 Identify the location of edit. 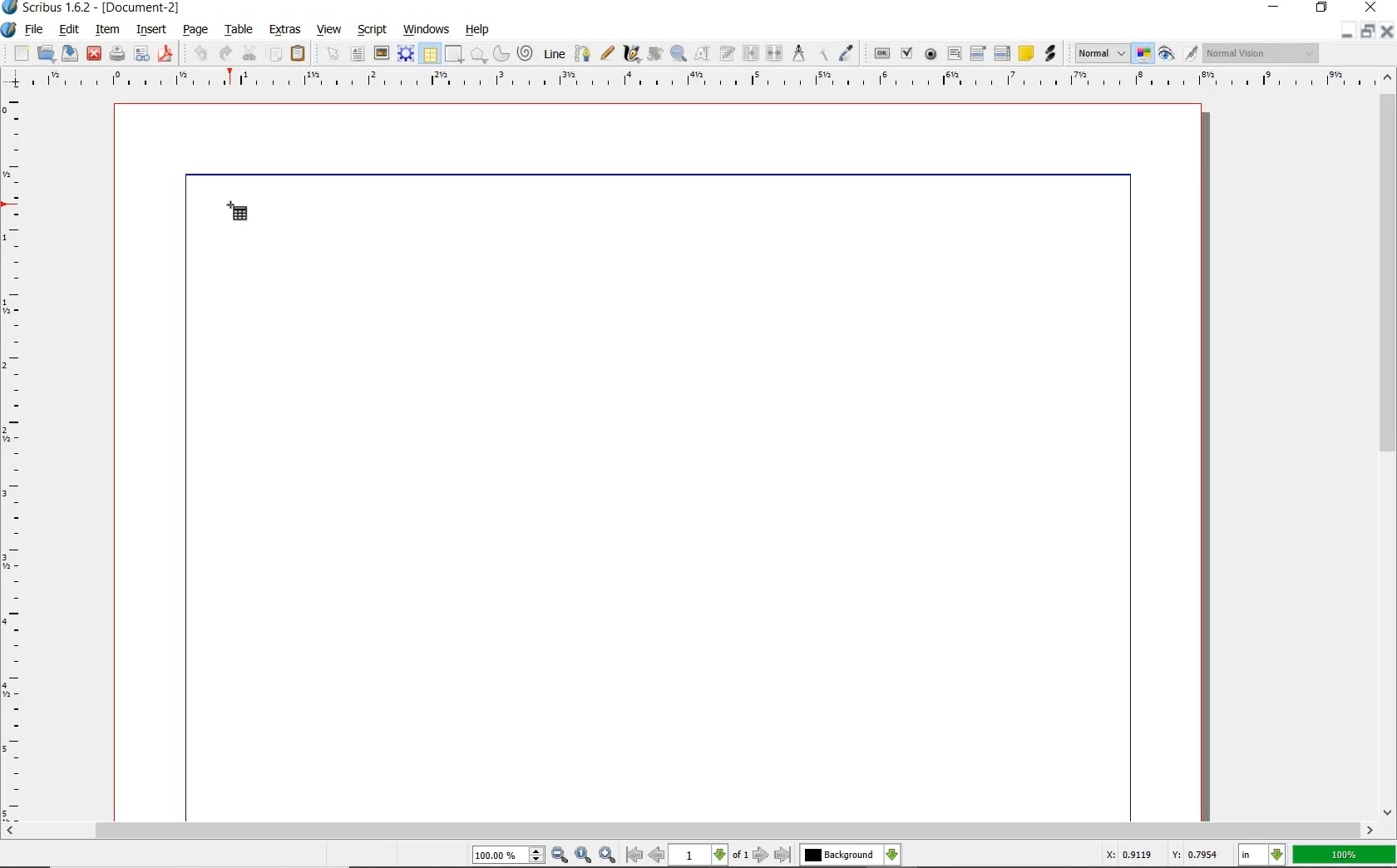
(70, 31).